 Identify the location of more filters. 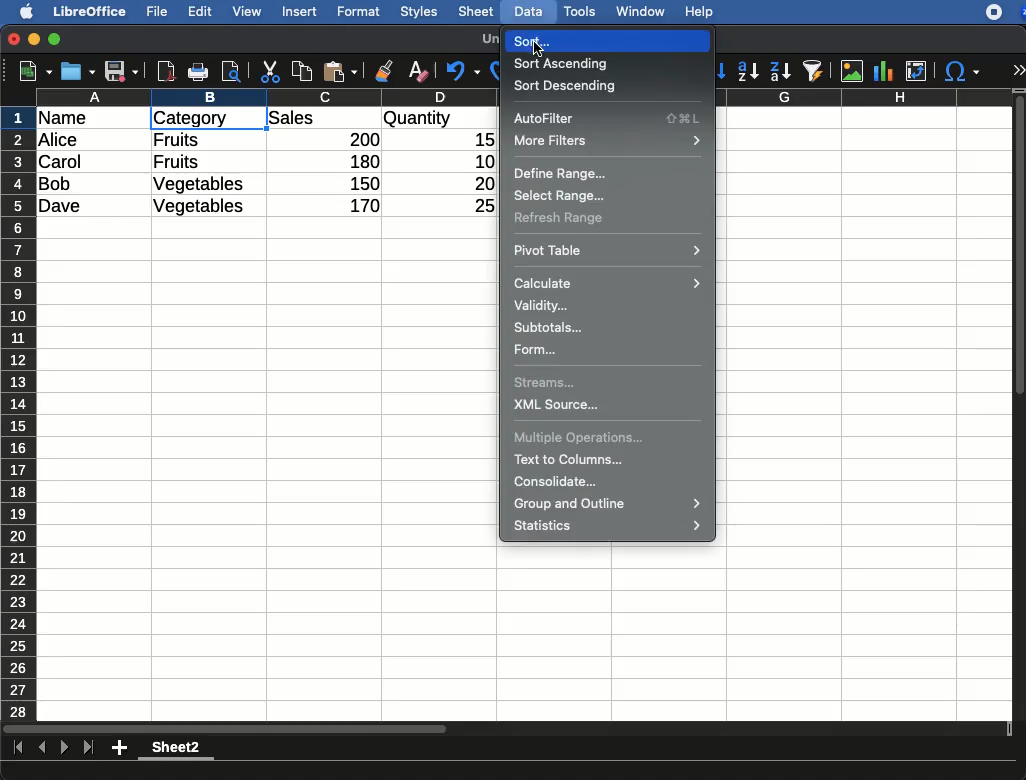
(607, 142).